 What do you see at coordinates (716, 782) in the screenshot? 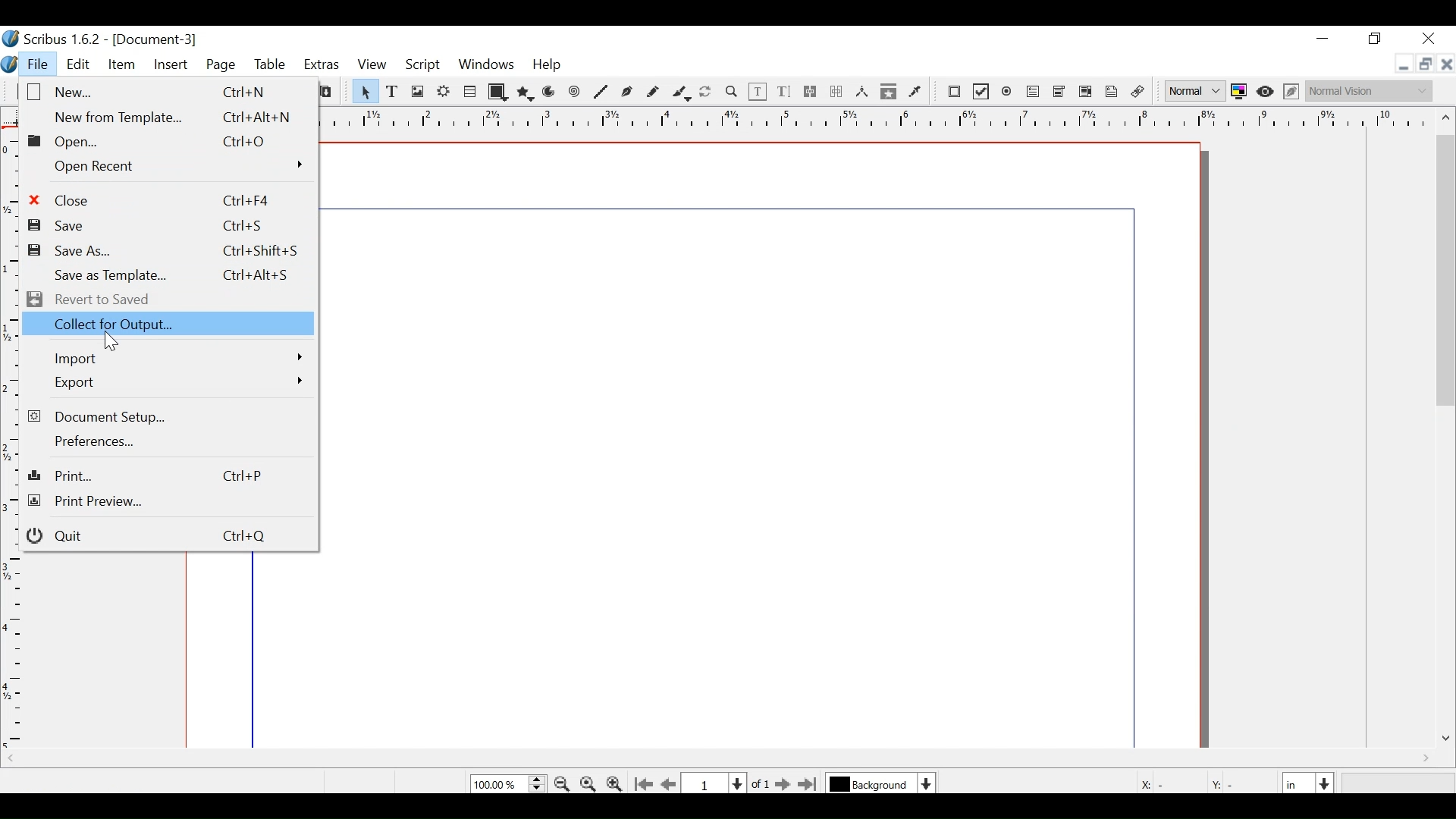
I see `Current Page` at bounding box center [716, 782].